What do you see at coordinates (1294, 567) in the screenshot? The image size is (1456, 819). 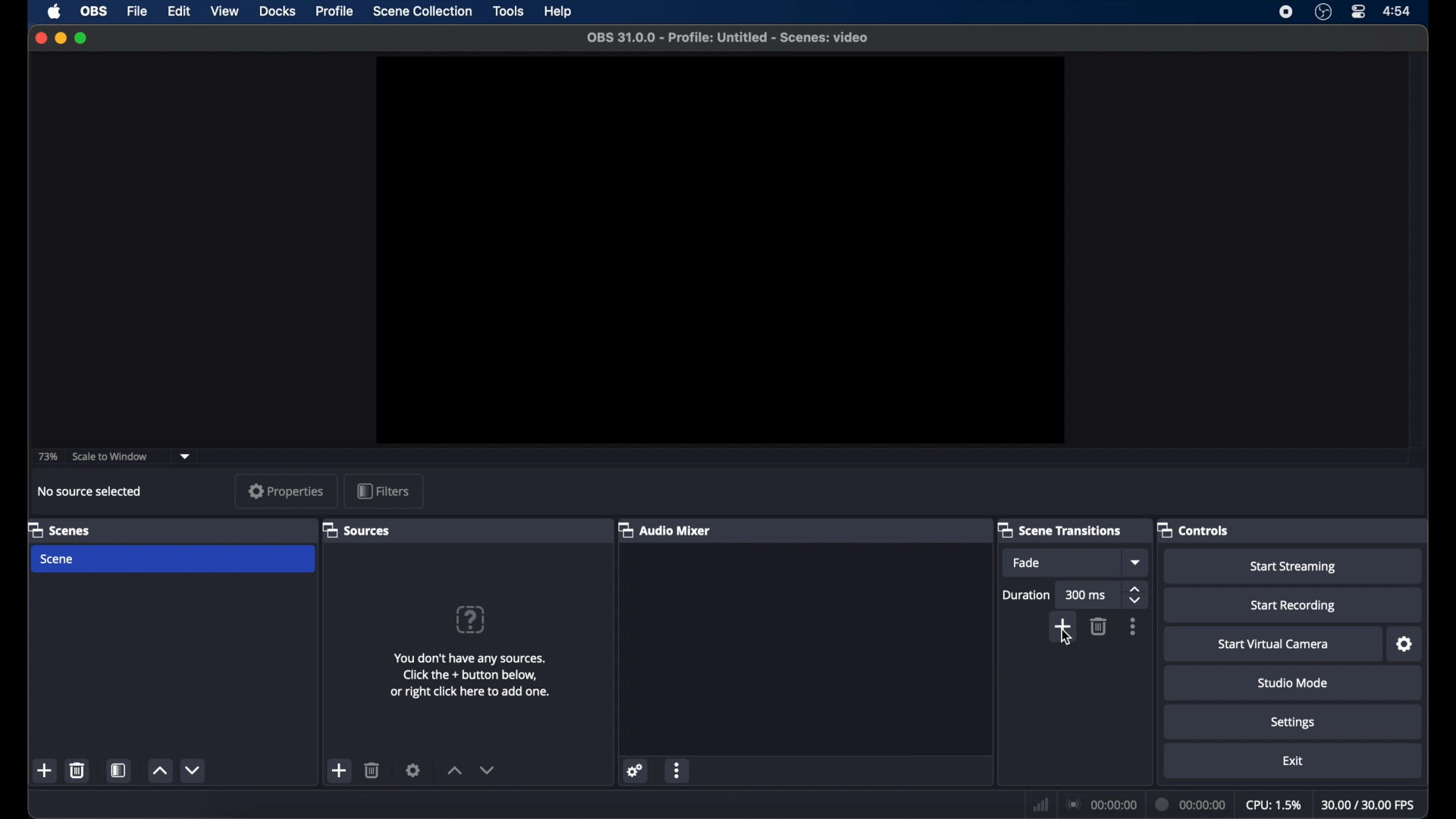 I see `start streaming` at bounding box center [1294, 567].